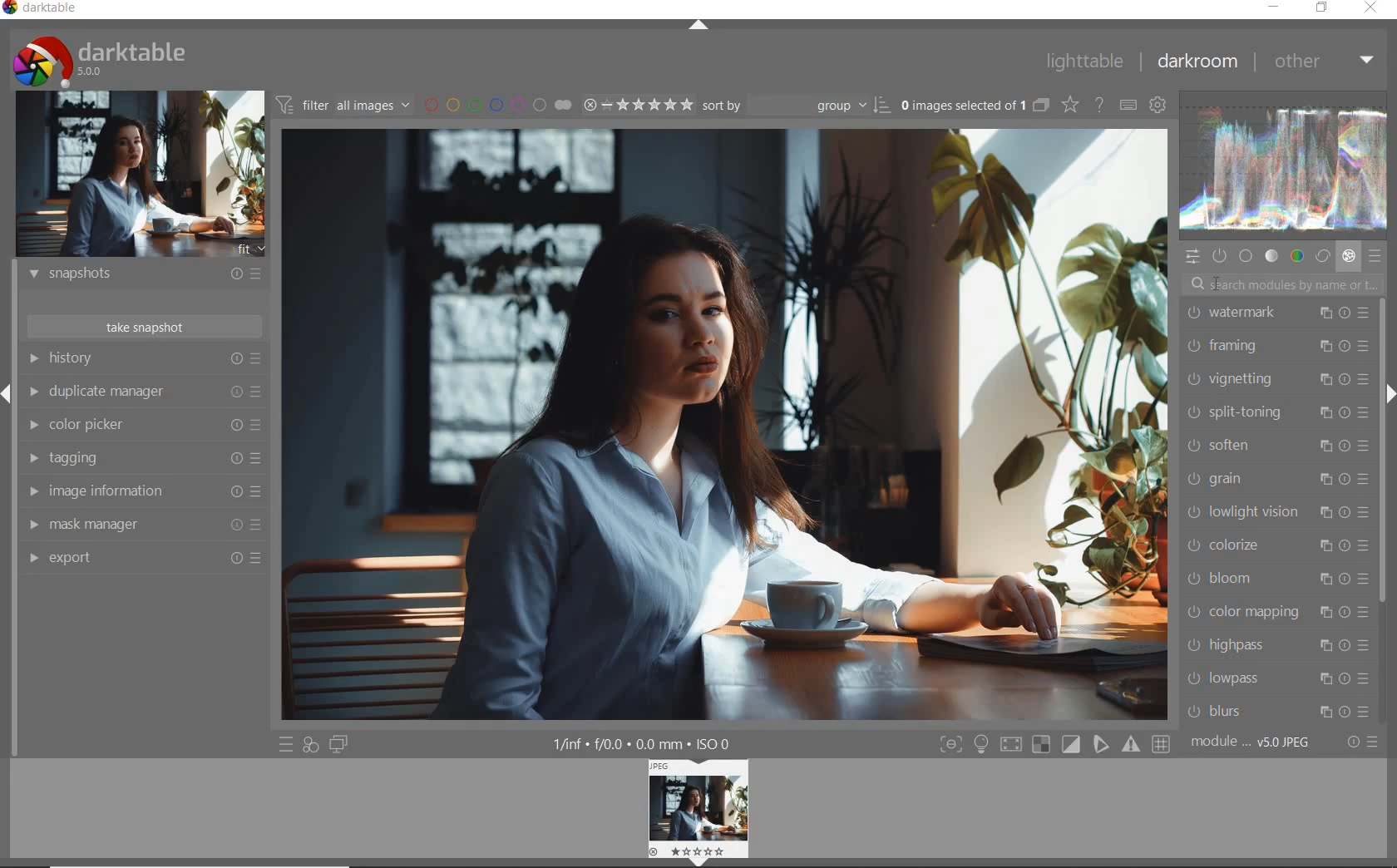  I want to click on darkroom, so click(1197, 62).